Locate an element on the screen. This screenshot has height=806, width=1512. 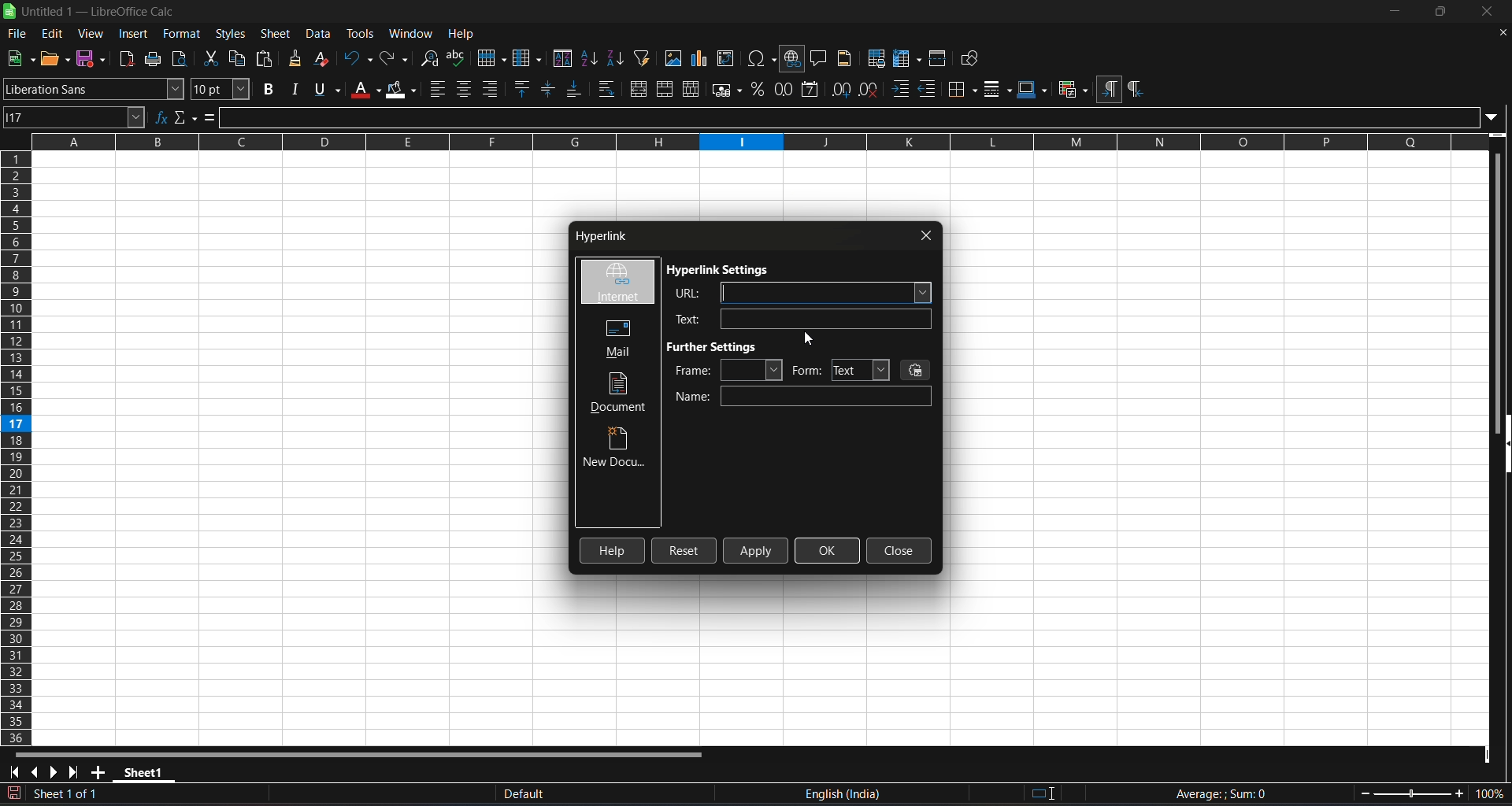
format as currency is located at coordinates (725, 89).